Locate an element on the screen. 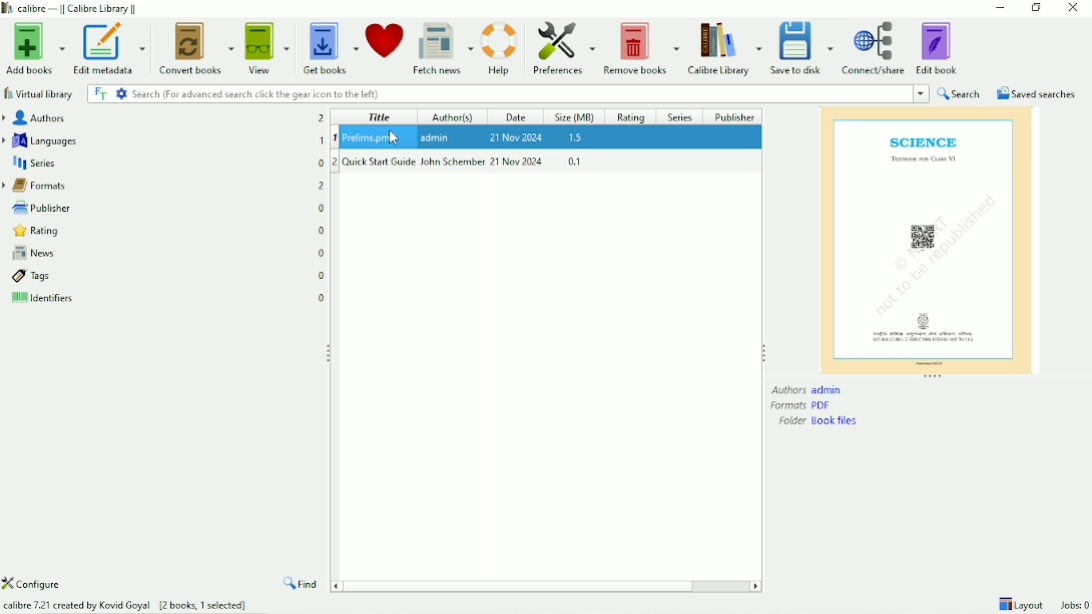 This screenshot has width=1092, height=614. Layout is located at coordinates (1020, 603).